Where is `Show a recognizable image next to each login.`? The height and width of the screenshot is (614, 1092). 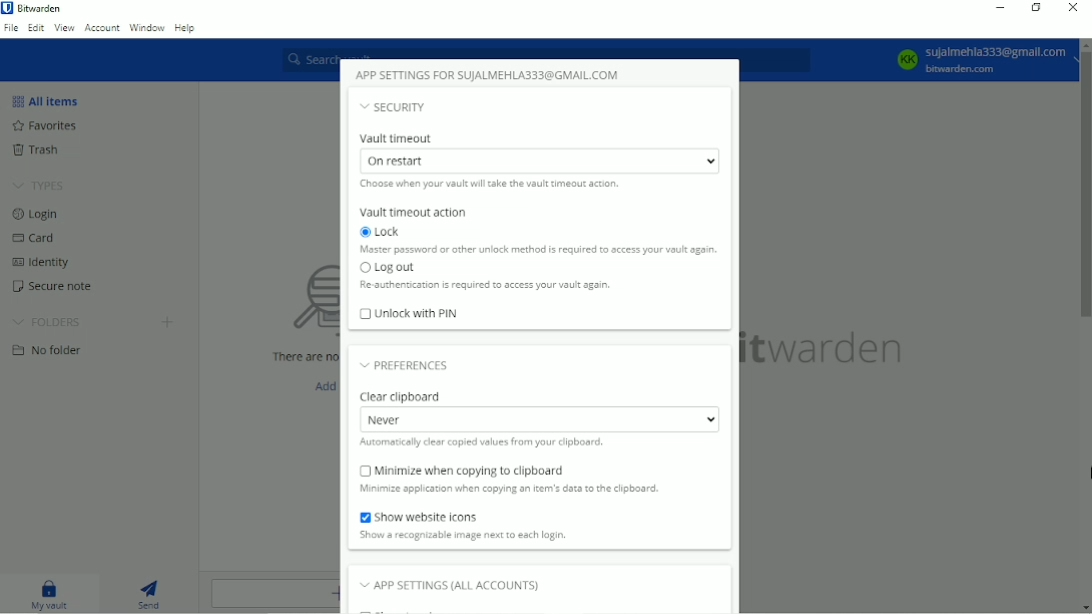
Show a recognizable image next to each login. is located at coordinates (463, 536).